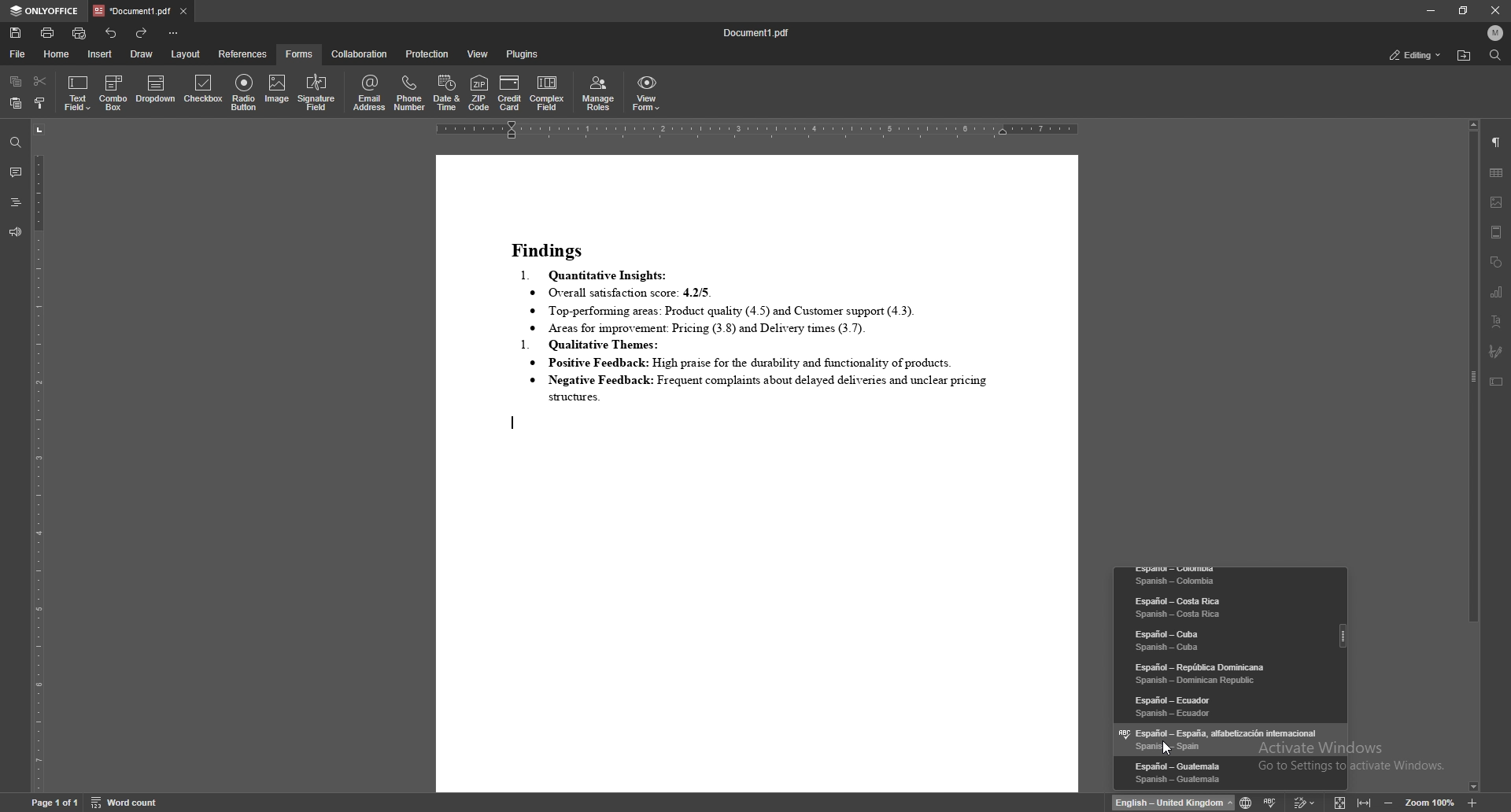  What do you see at coordinates (1495, 31) in the screenshot?
I see `profile` at bounding box center [1495, 31].